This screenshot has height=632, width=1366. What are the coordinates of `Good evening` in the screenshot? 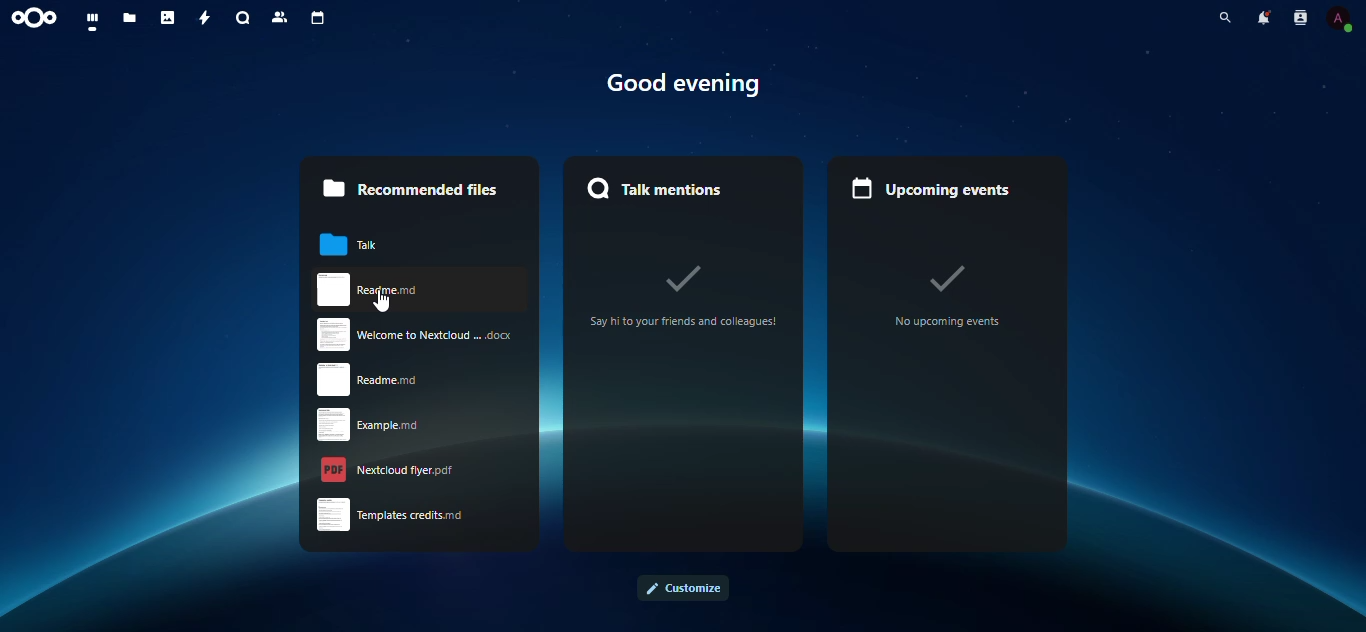 It's located at (685, 84).